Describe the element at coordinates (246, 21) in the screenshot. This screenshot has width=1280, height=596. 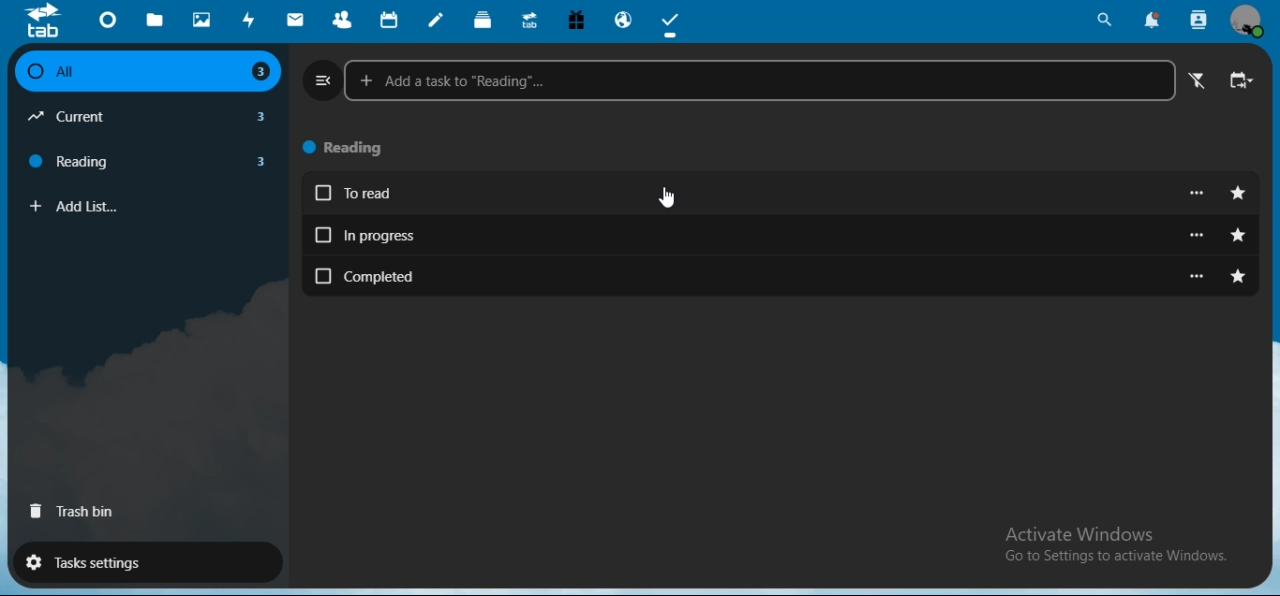
I see `activity` at that location.